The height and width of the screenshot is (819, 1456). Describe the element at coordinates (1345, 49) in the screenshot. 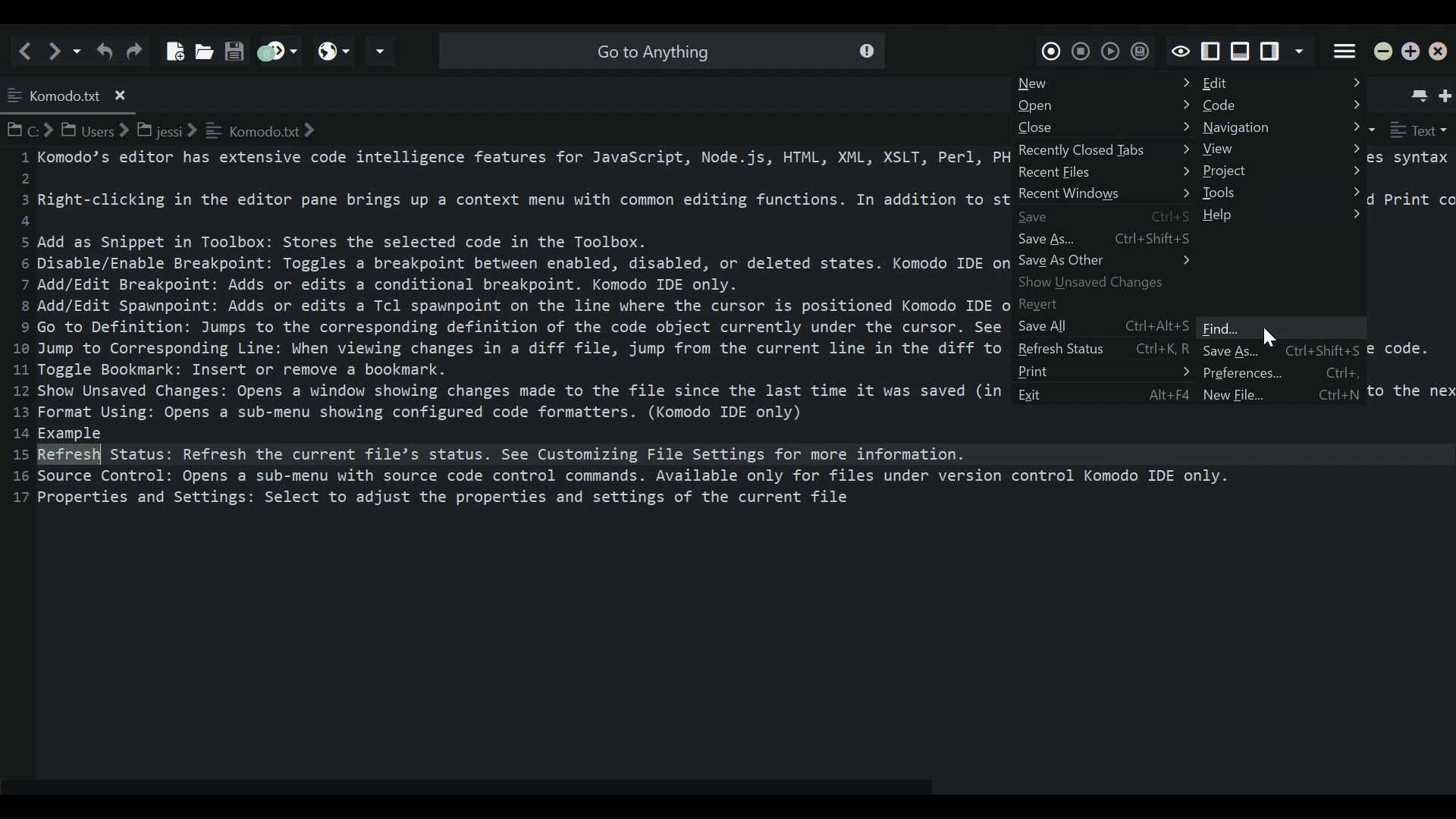

I see `Application menu` at that location.